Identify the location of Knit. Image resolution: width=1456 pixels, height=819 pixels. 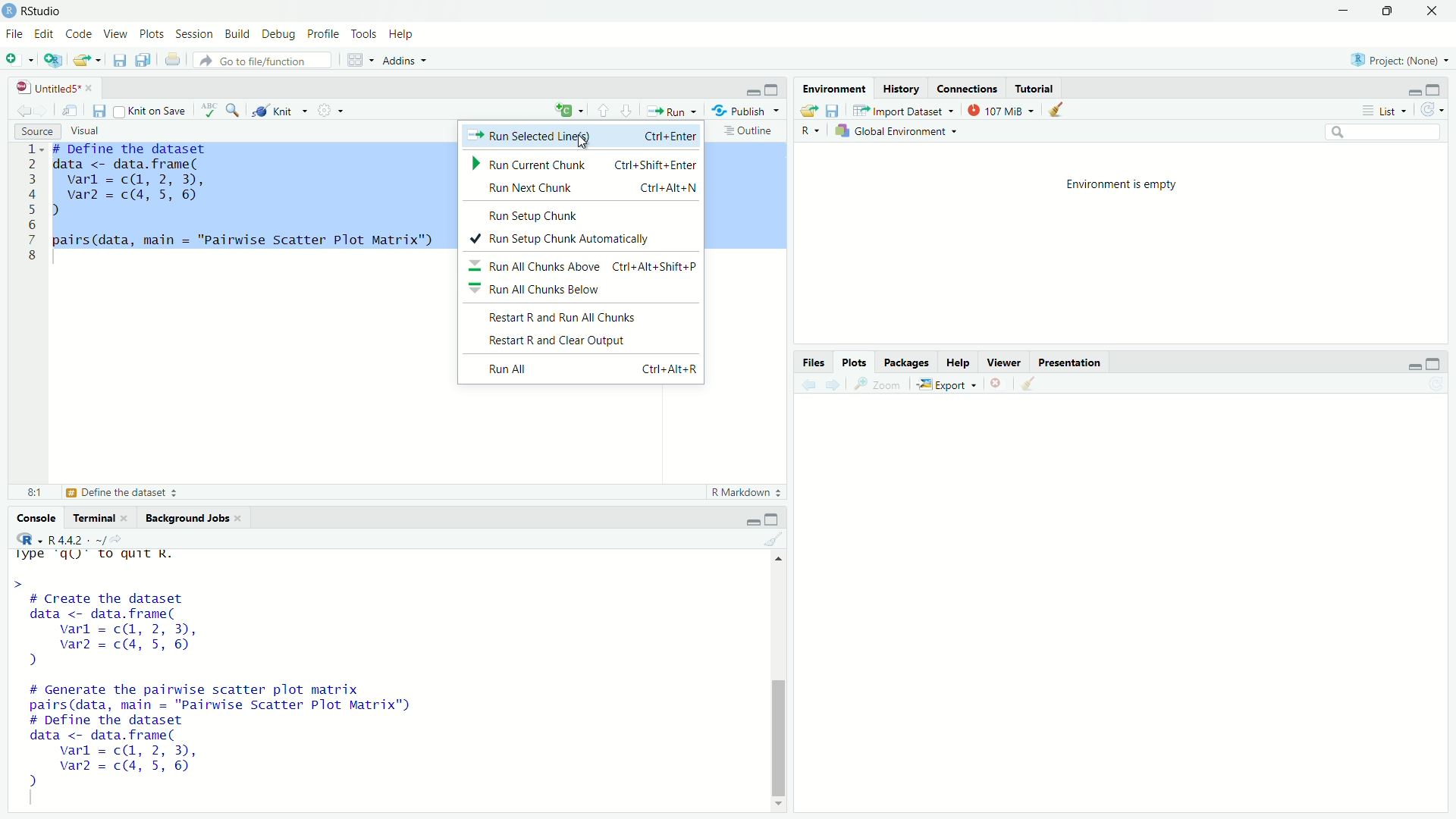
(280, 111).